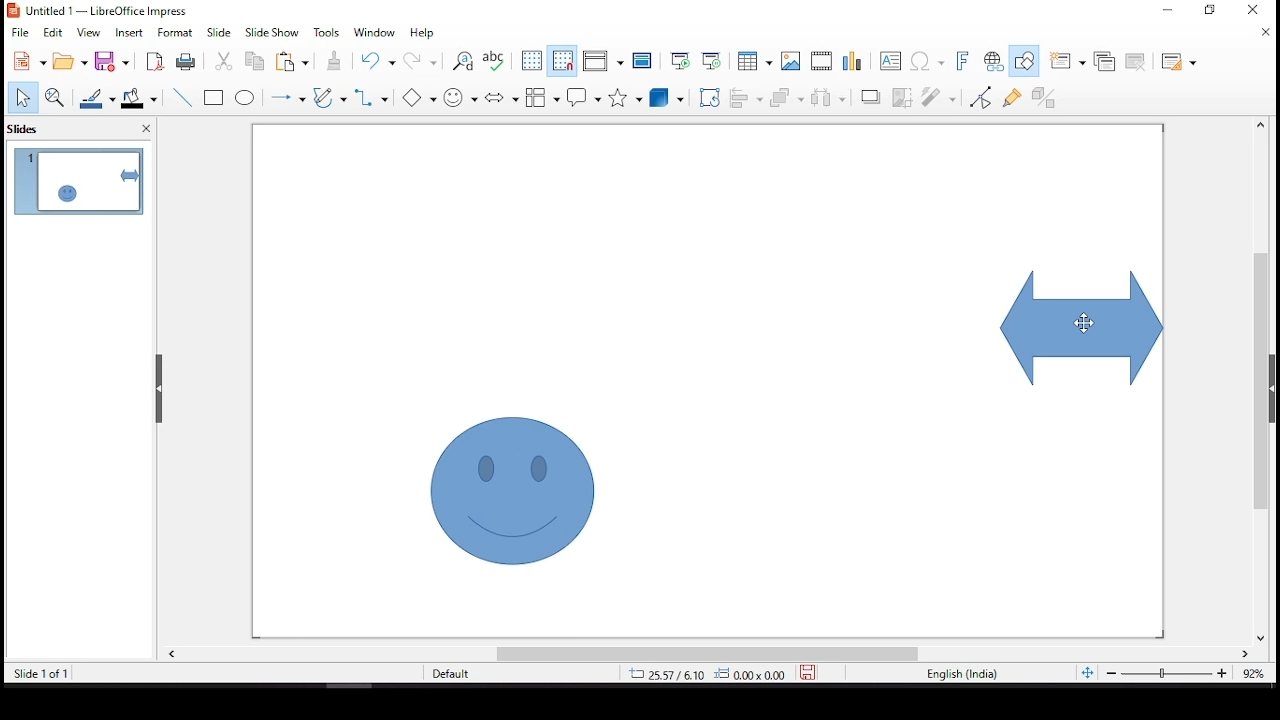 This screenshot has height=720, width=1280. What do you see at coordinates (929, 62) in the screenshot?
I see `insert special characters` at bounding box center [929, 62].